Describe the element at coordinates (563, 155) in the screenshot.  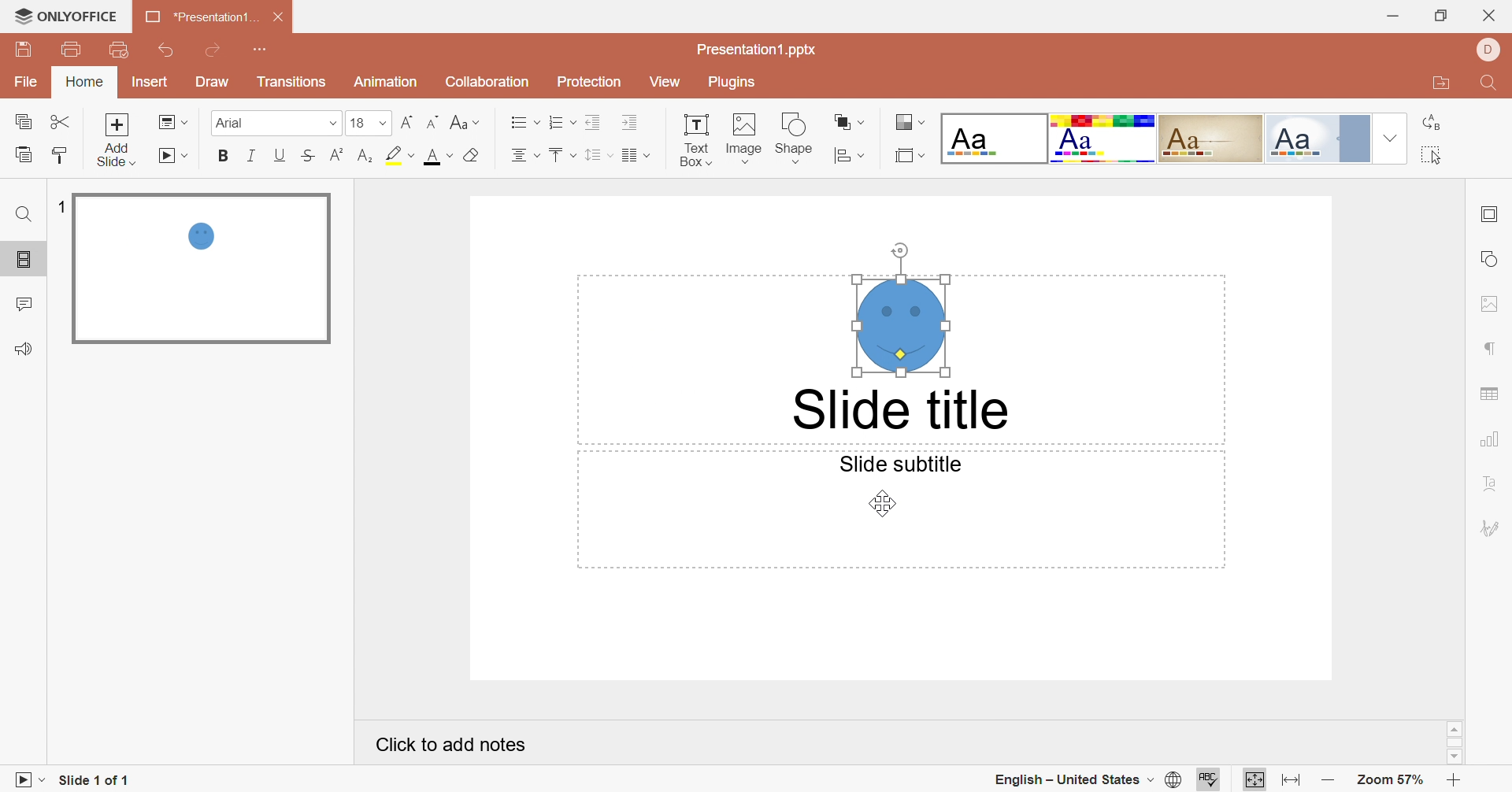
I see `Align Top` at that location.